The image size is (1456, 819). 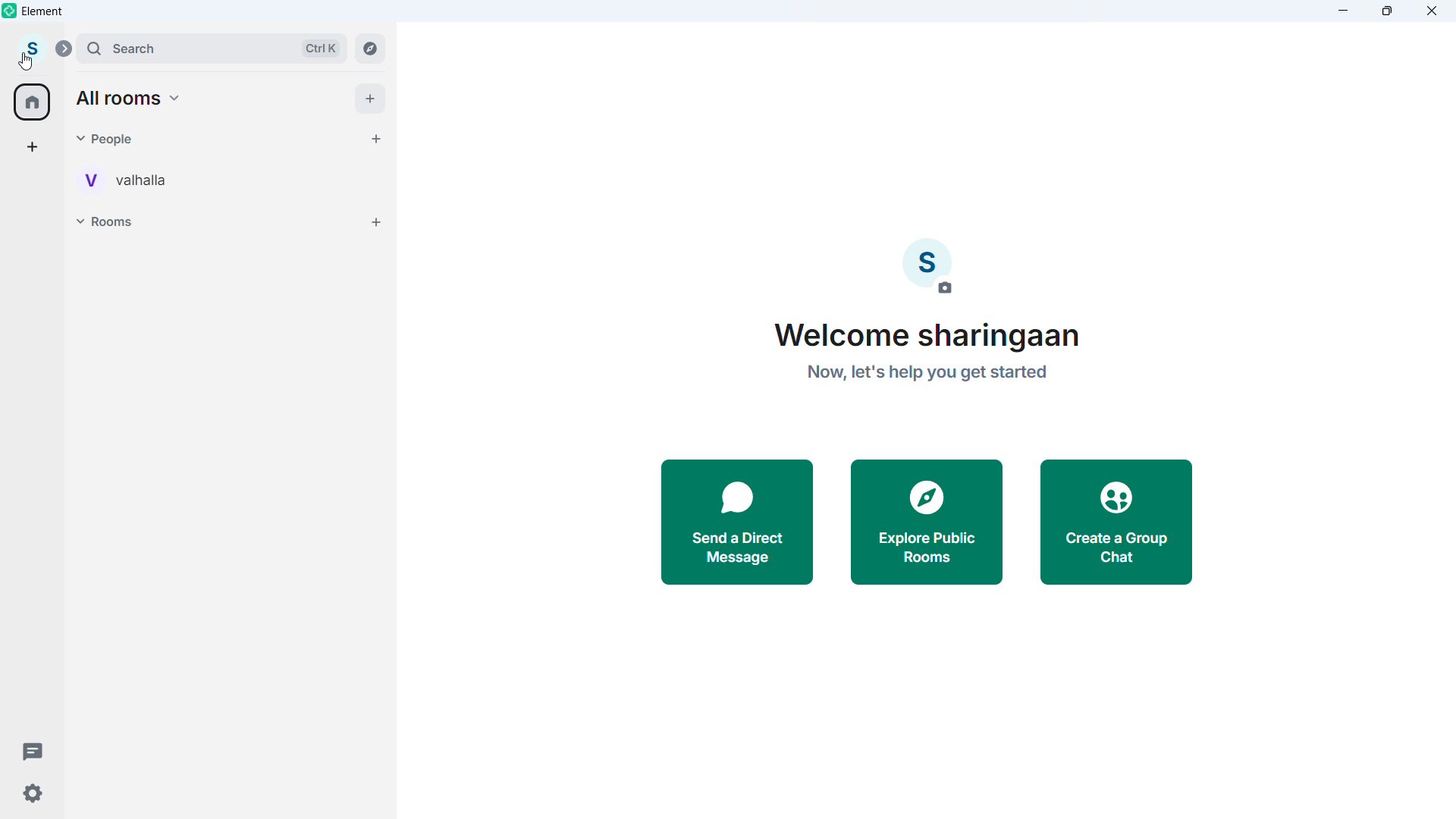 What do you see at coordinates (25, 62) in the screenshot?
I see `Cursor ` at bounding box center [25, 62].